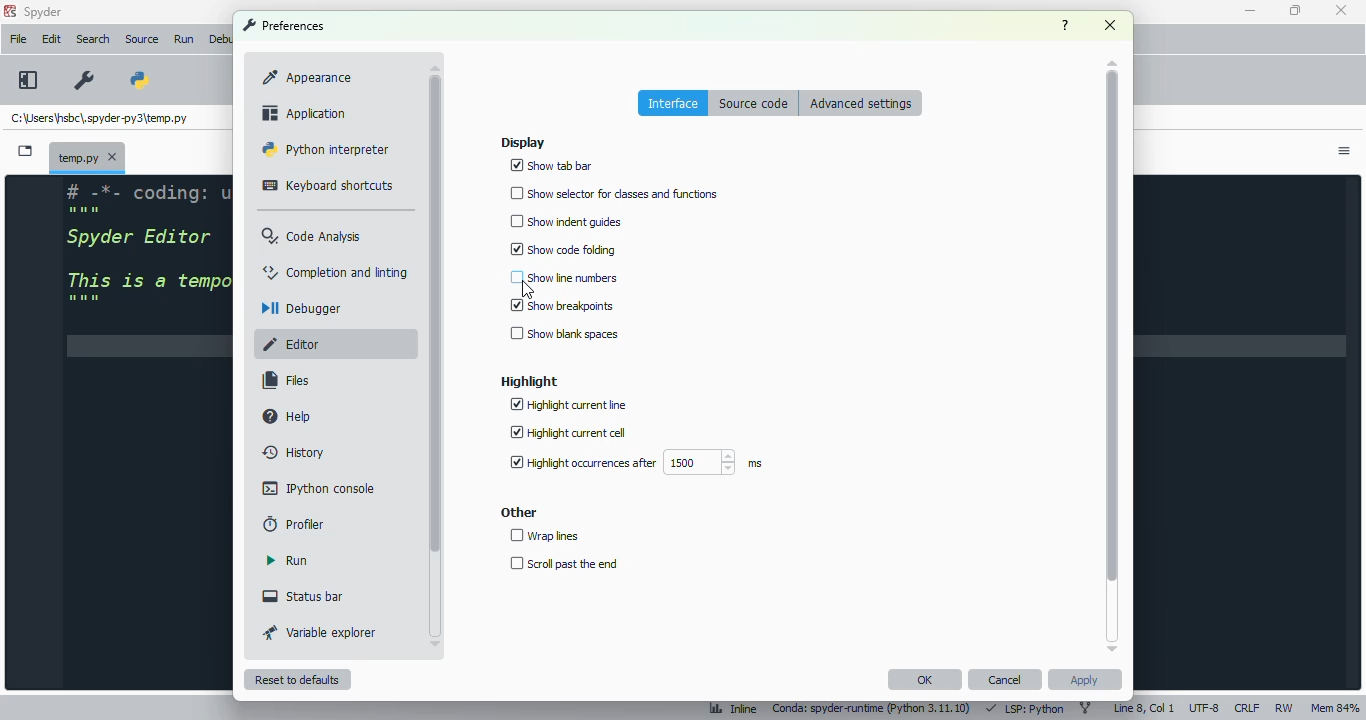  Describe the element at coordinates (519, 513) in the screenshot. I see `other` at that location.